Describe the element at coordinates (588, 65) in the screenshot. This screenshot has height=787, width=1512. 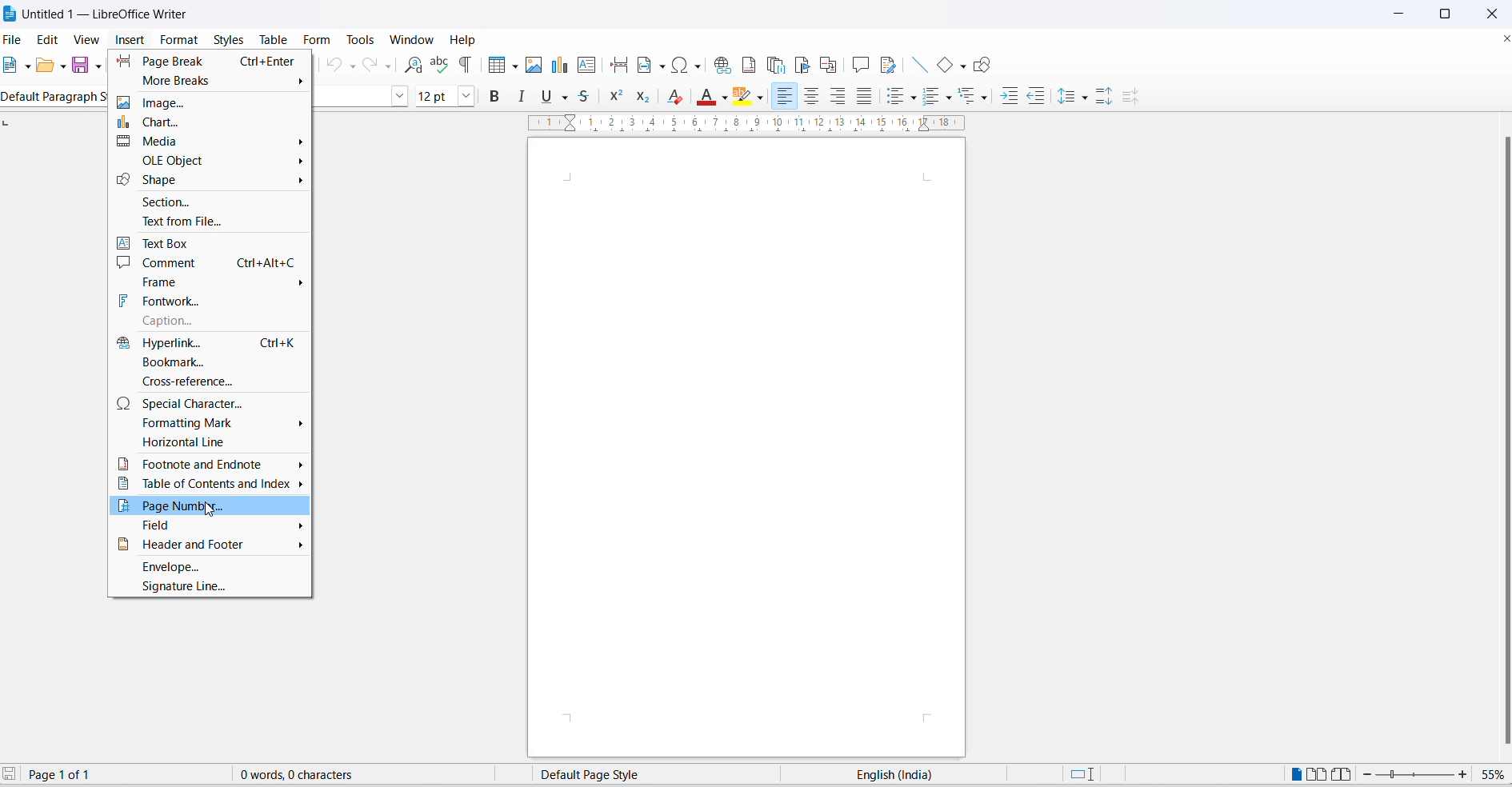
I see `insert text` at that location.